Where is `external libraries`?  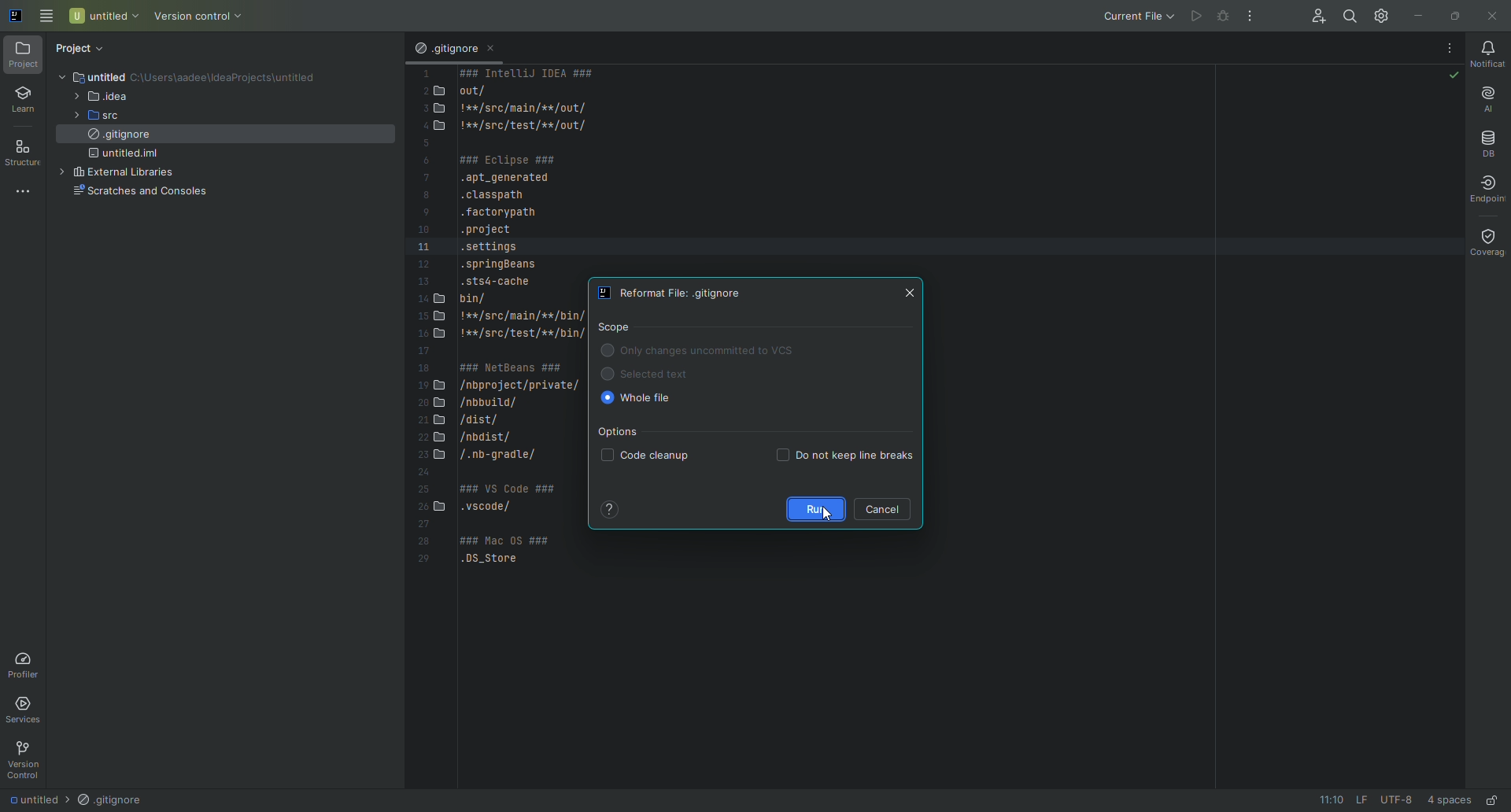
external libraries is located at coordinates (131, 174).